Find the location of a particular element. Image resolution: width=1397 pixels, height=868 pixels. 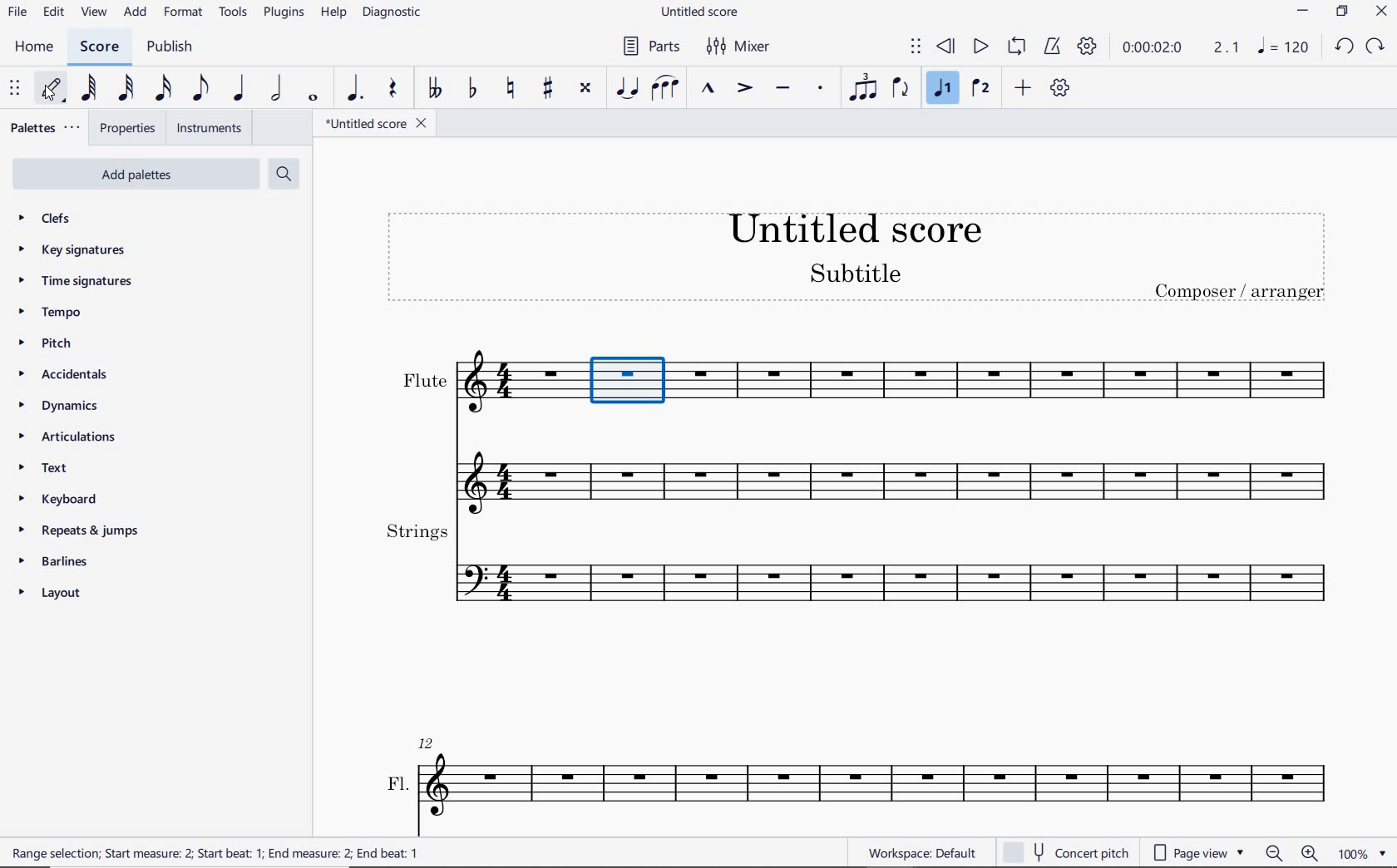

concert pitch is located at coordinates (1065, 850).